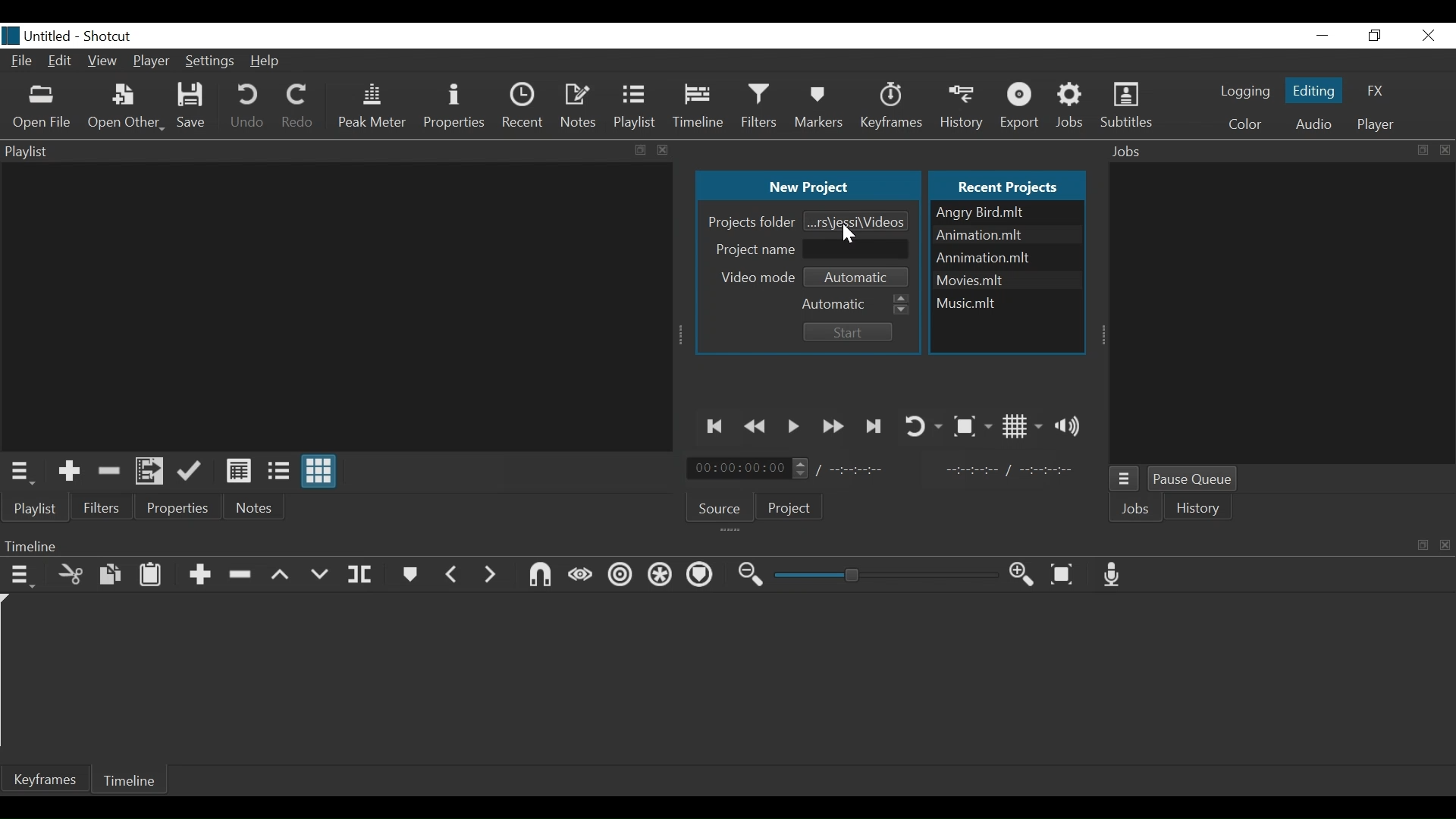  I want to click on Jobs Menu, so click(1126, 481).